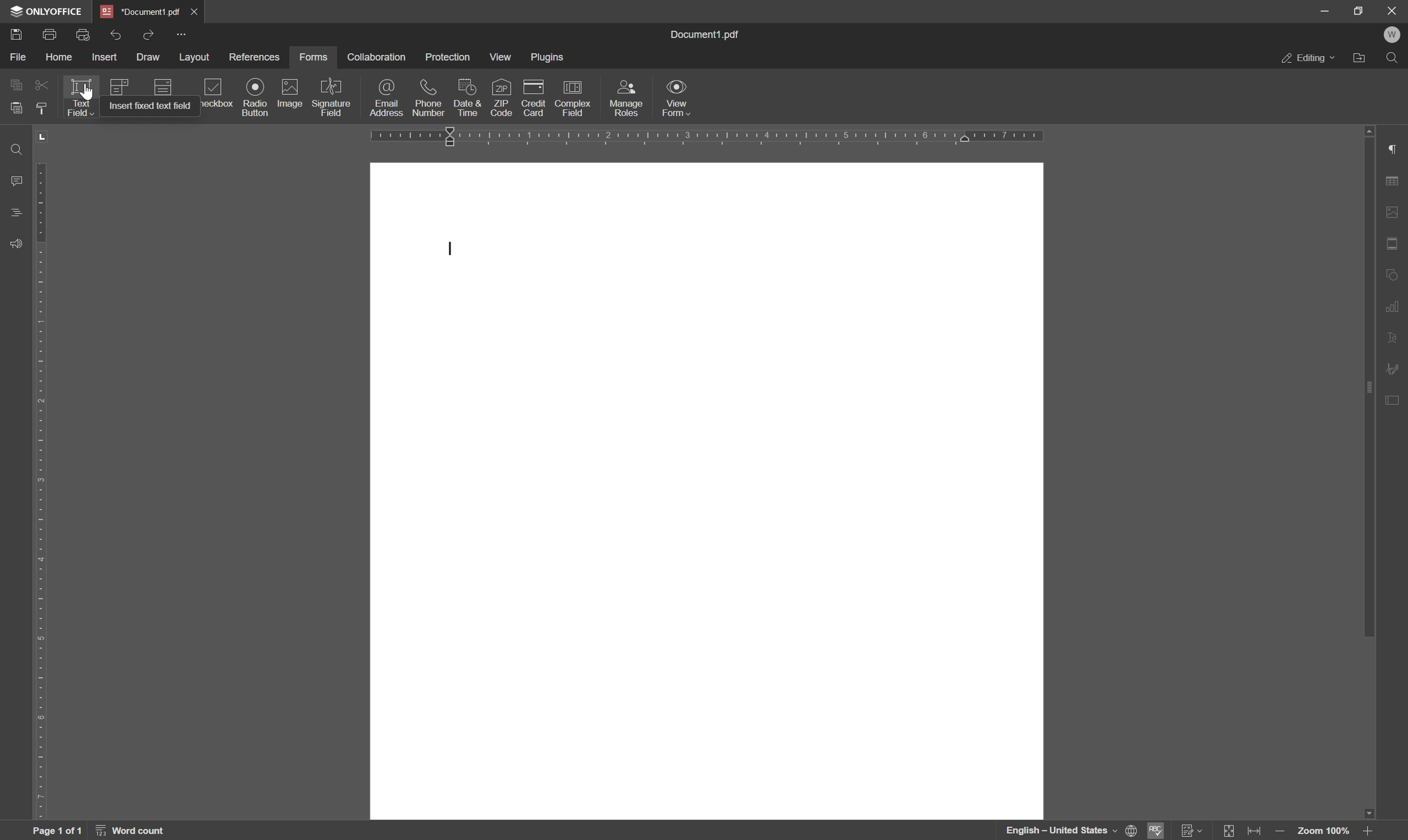 This screenshot has height=840, width=1408. I want to click on copy style, so click(42, 109).